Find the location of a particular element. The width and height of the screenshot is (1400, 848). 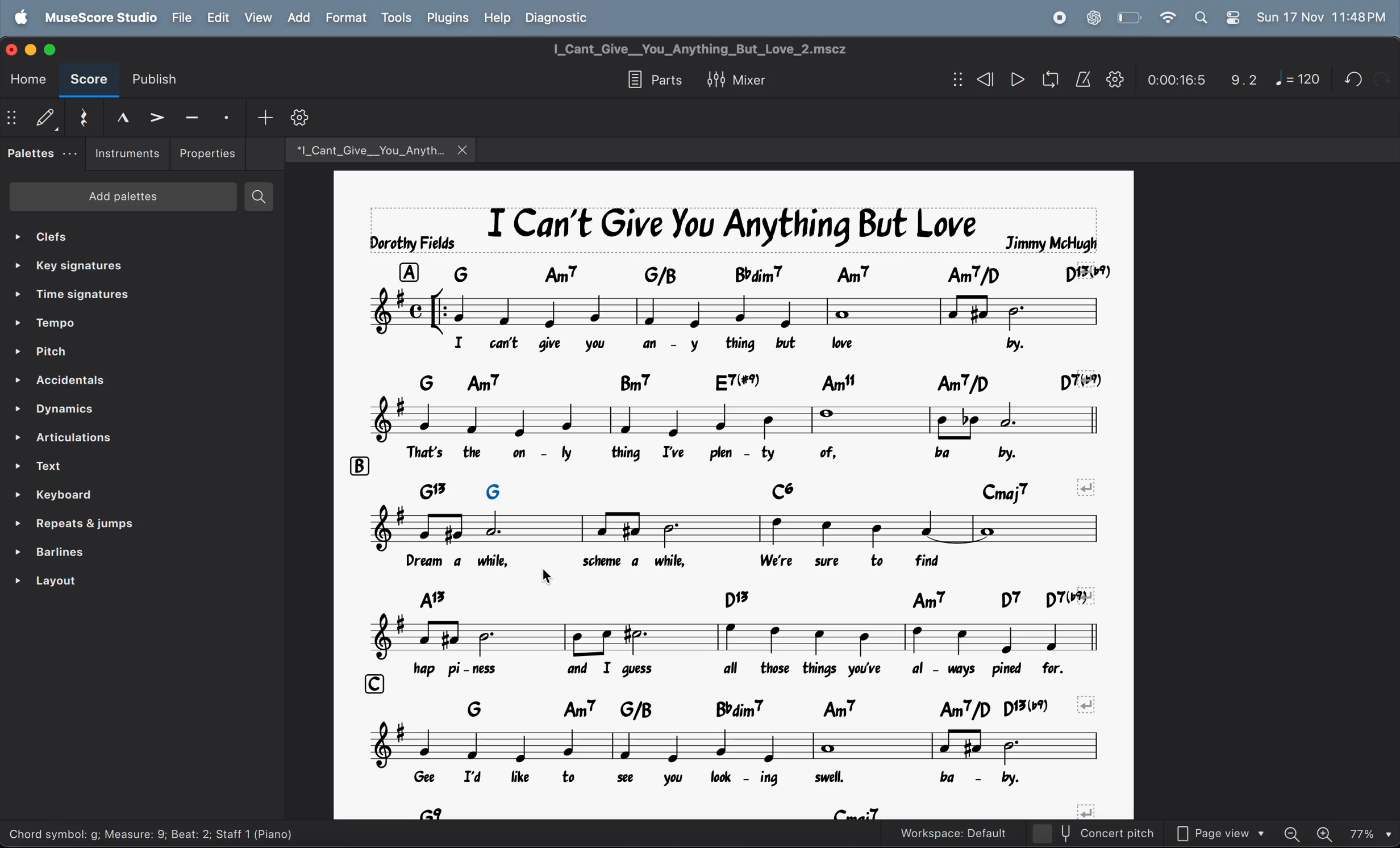

reset is located at coordinates (84, 119).